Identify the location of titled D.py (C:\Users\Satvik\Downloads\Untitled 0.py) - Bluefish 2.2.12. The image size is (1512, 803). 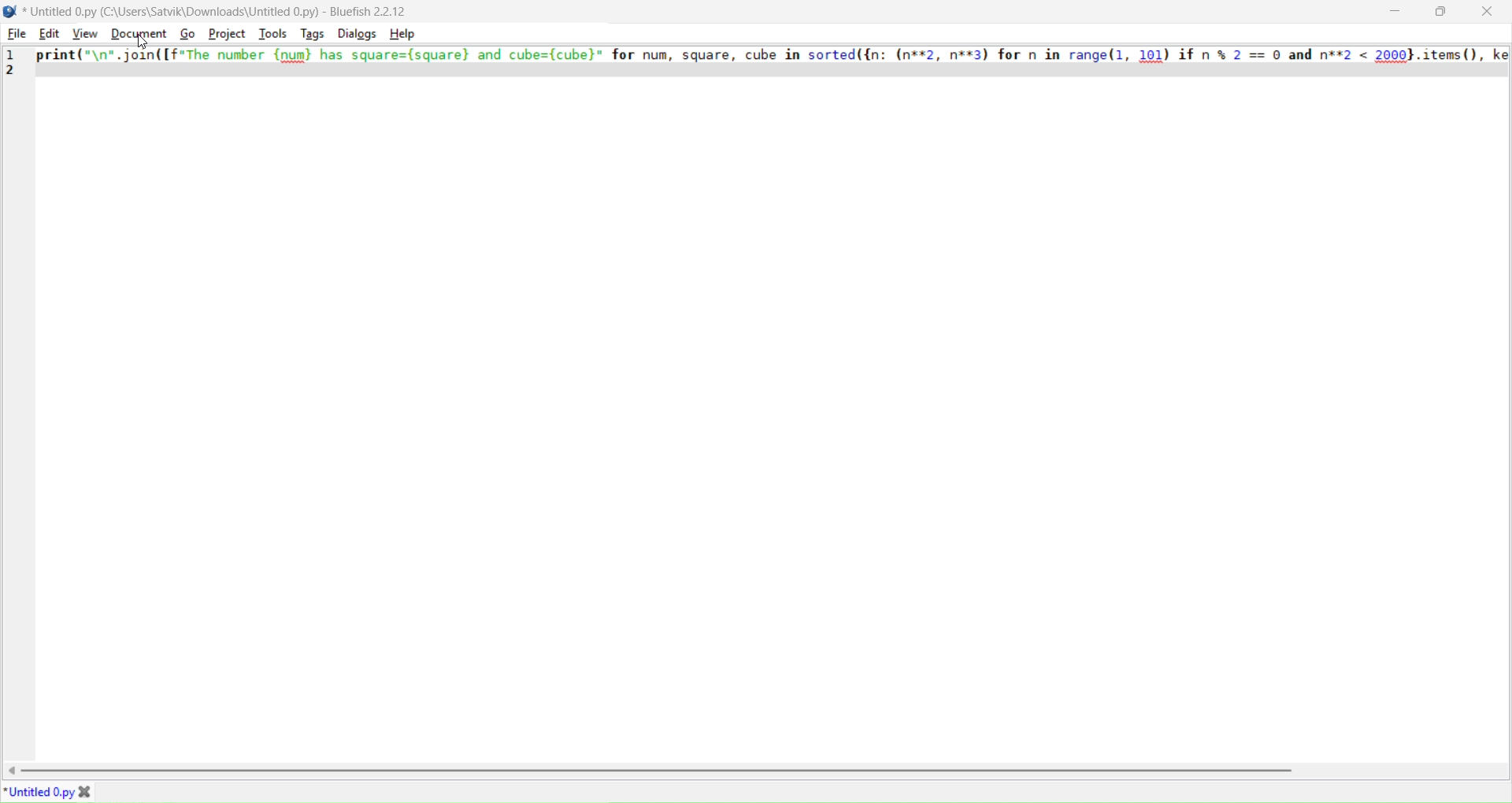
(224, 11).